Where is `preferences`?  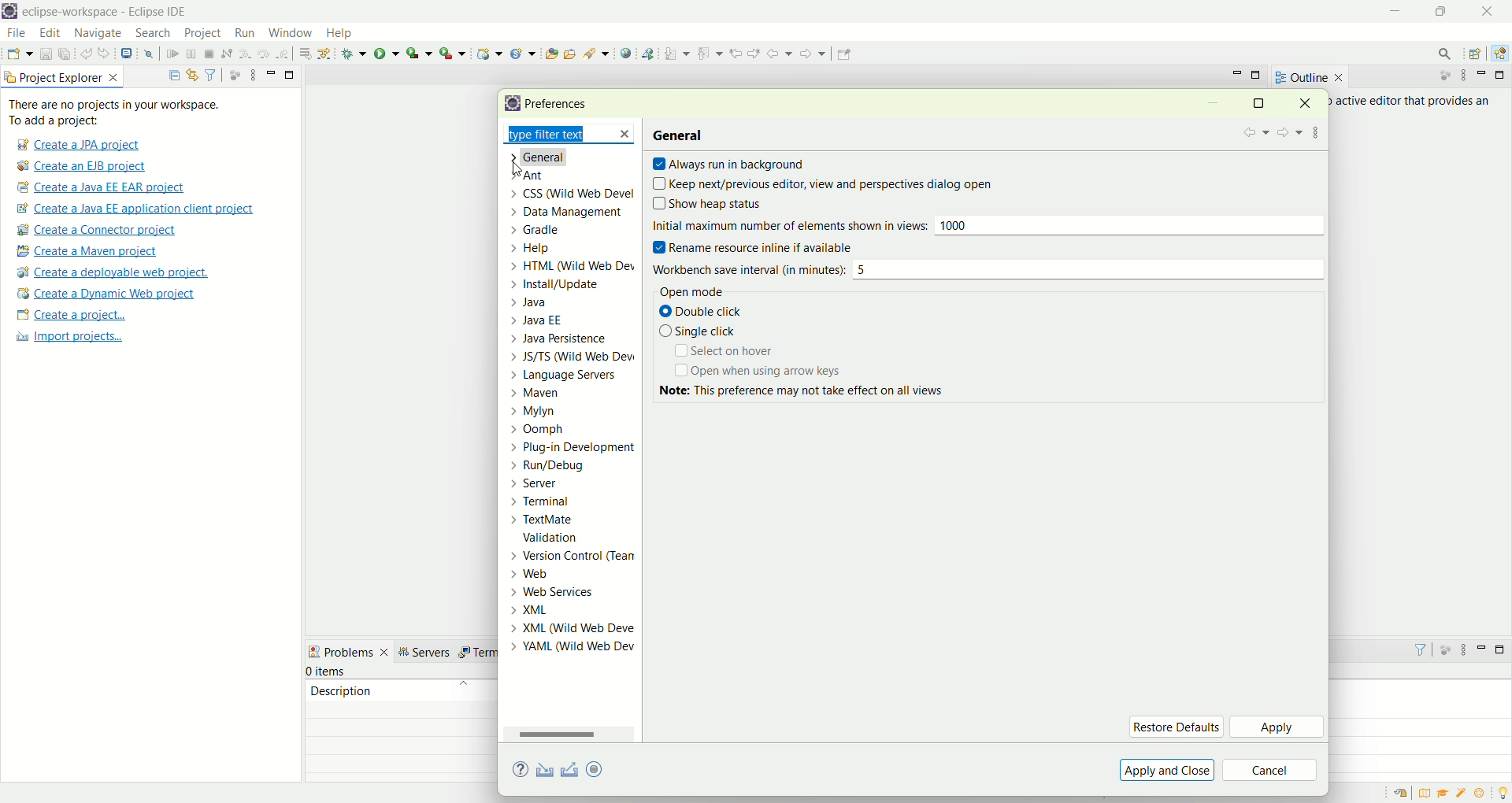 preferences is located at coordinates (561, 105).